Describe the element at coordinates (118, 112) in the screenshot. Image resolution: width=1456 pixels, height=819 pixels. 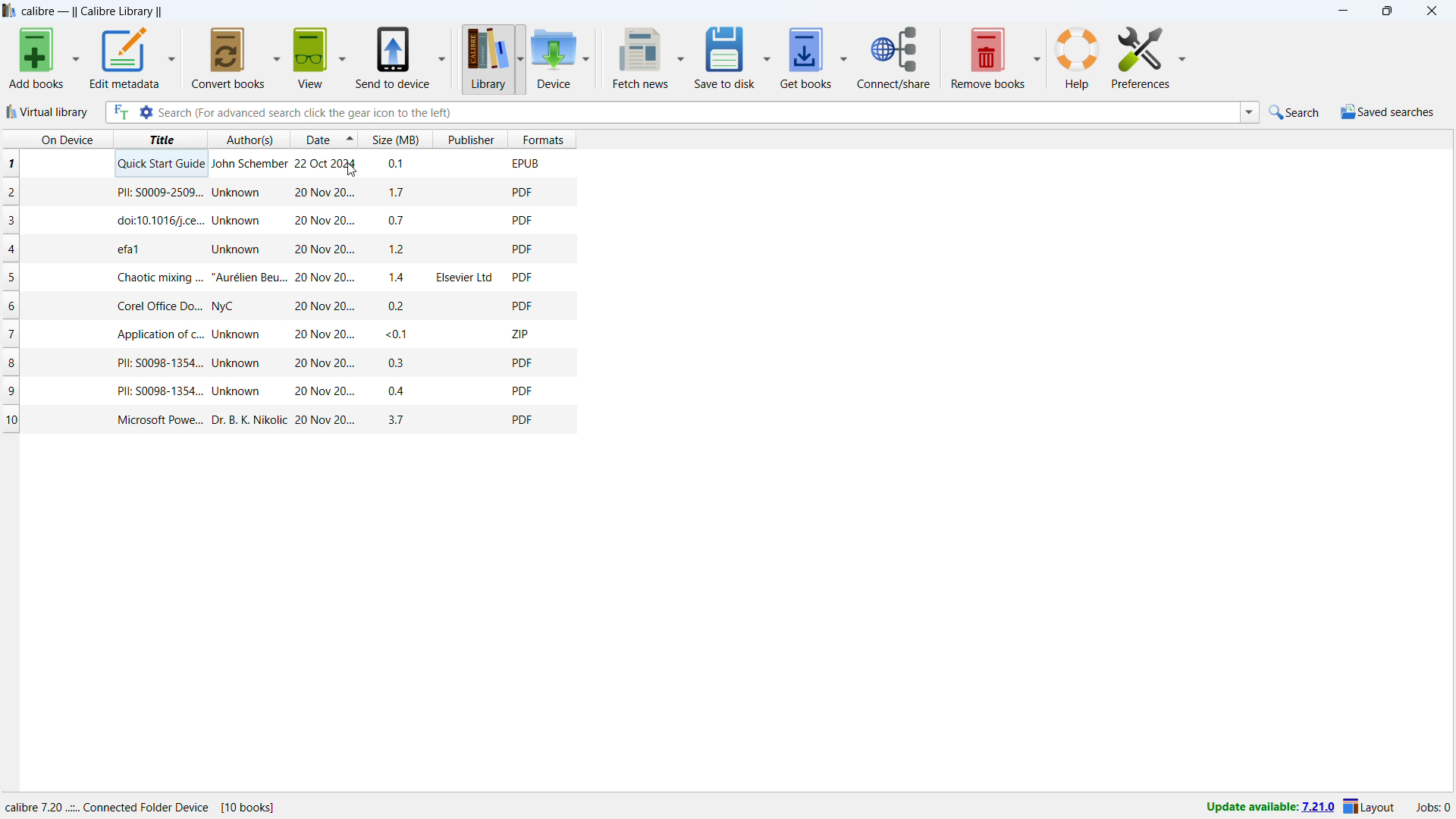
I see `full text search` at that location.